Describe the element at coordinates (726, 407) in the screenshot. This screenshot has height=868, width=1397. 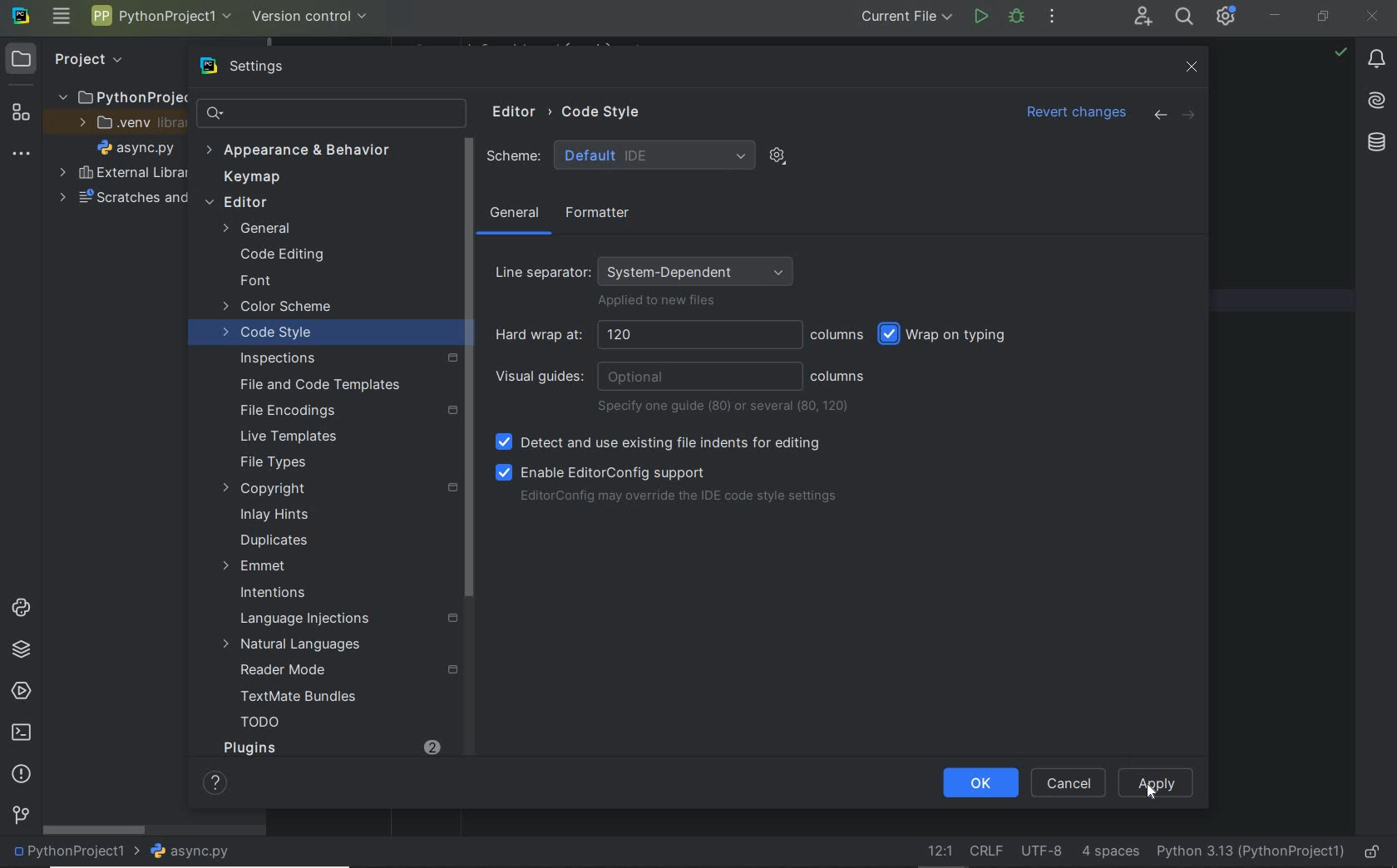
I see `specify one guide or several` at that location.